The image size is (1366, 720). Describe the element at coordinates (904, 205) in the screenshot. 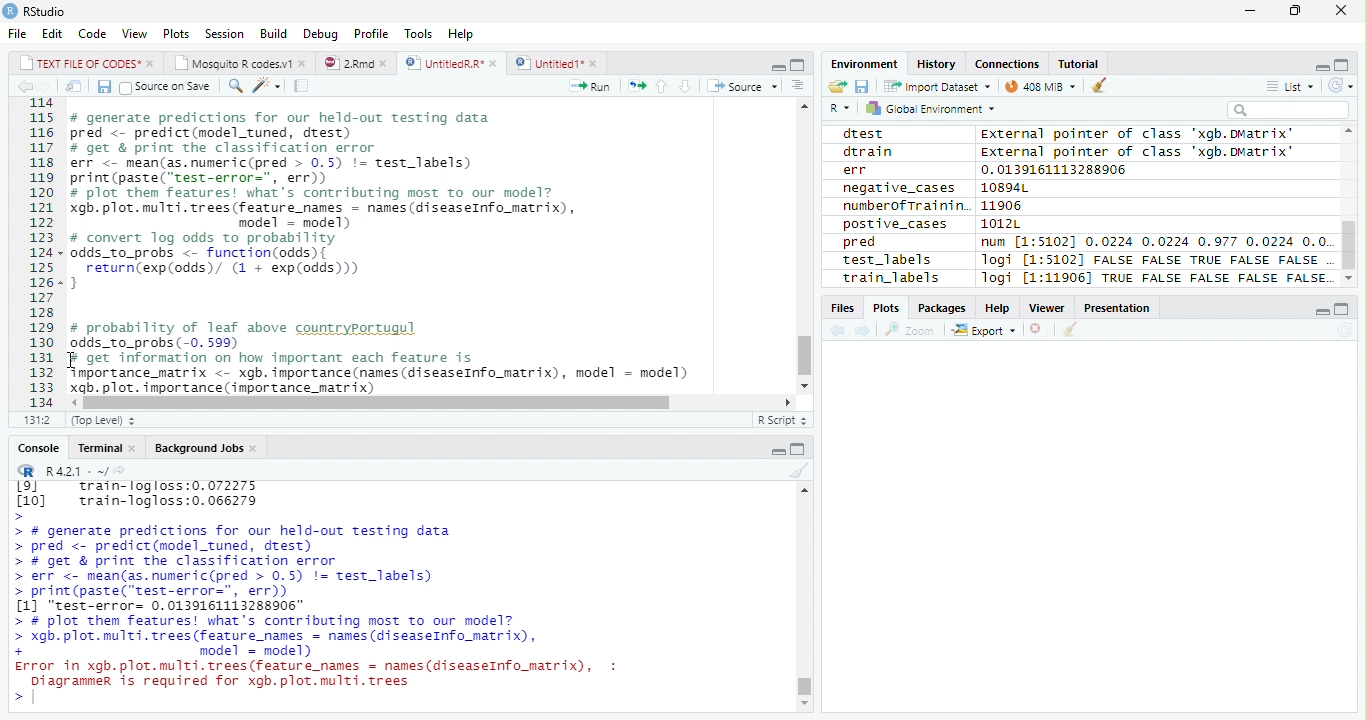

I see `numberofTrainin.` at that location.